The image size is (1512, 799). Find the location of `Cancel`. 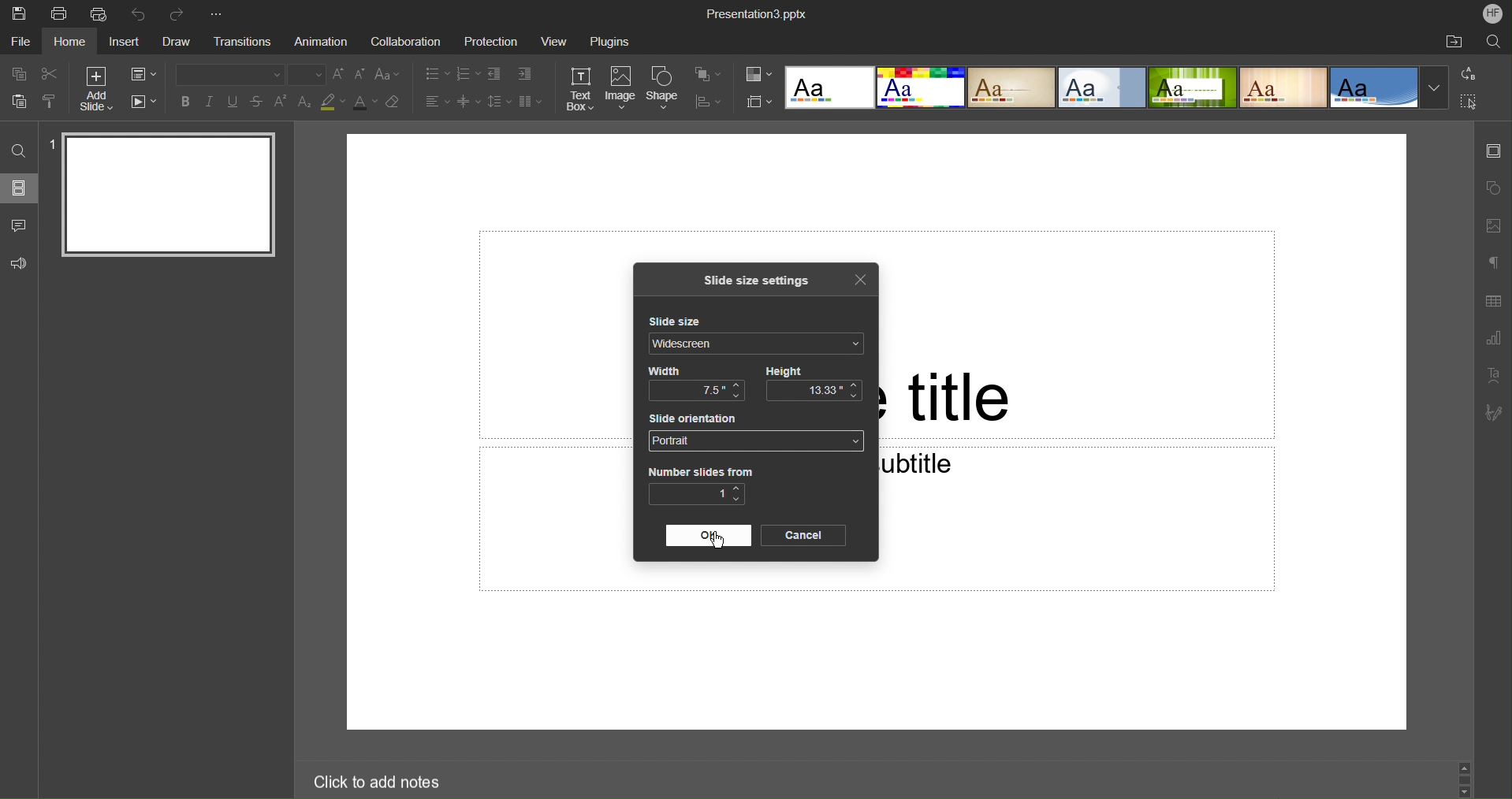

Cancel is located at coordinates (803, 536).